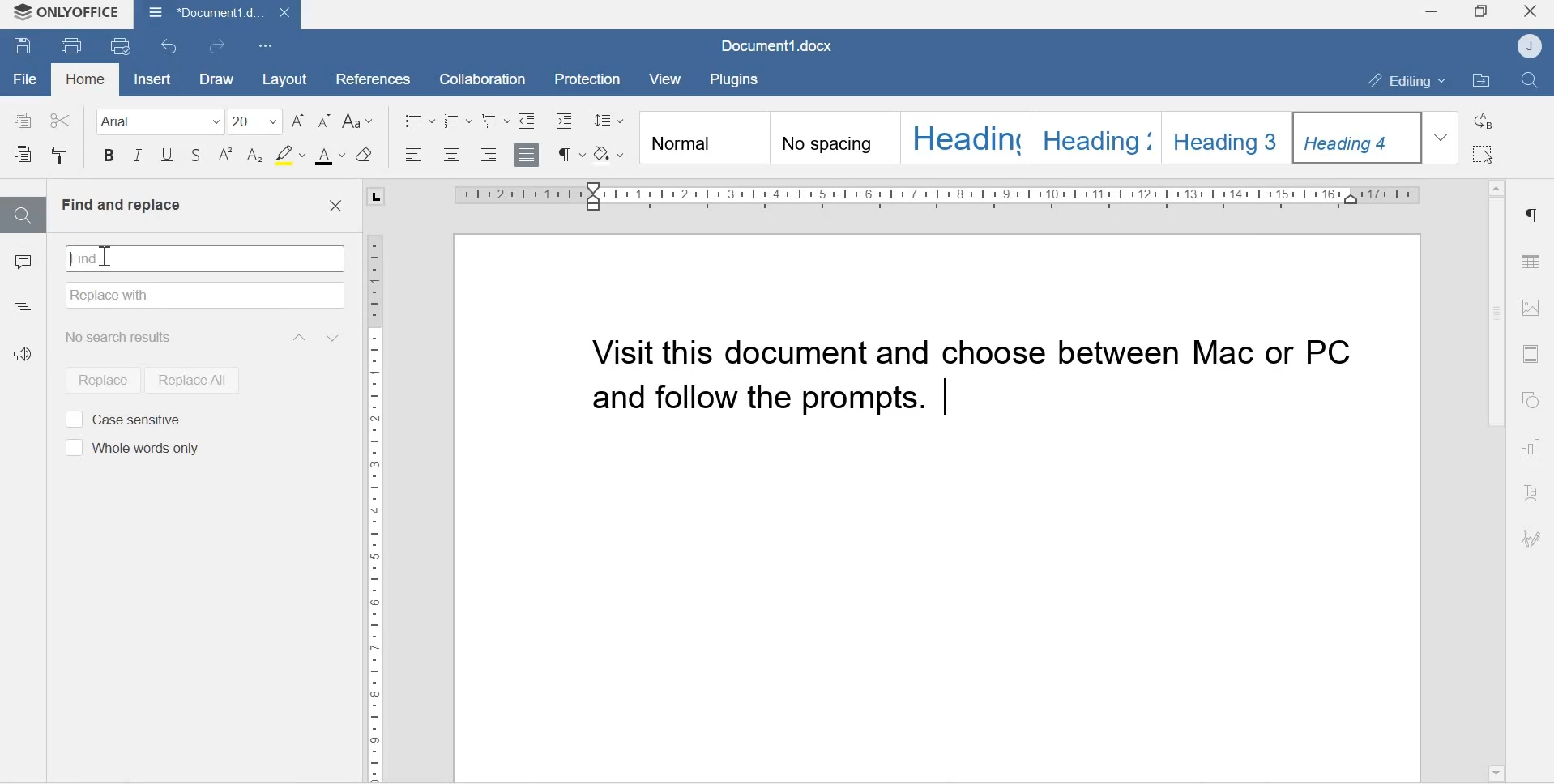  Describe the element at coordinates (155, 121) in the screenshot. I see `Font` at that location.